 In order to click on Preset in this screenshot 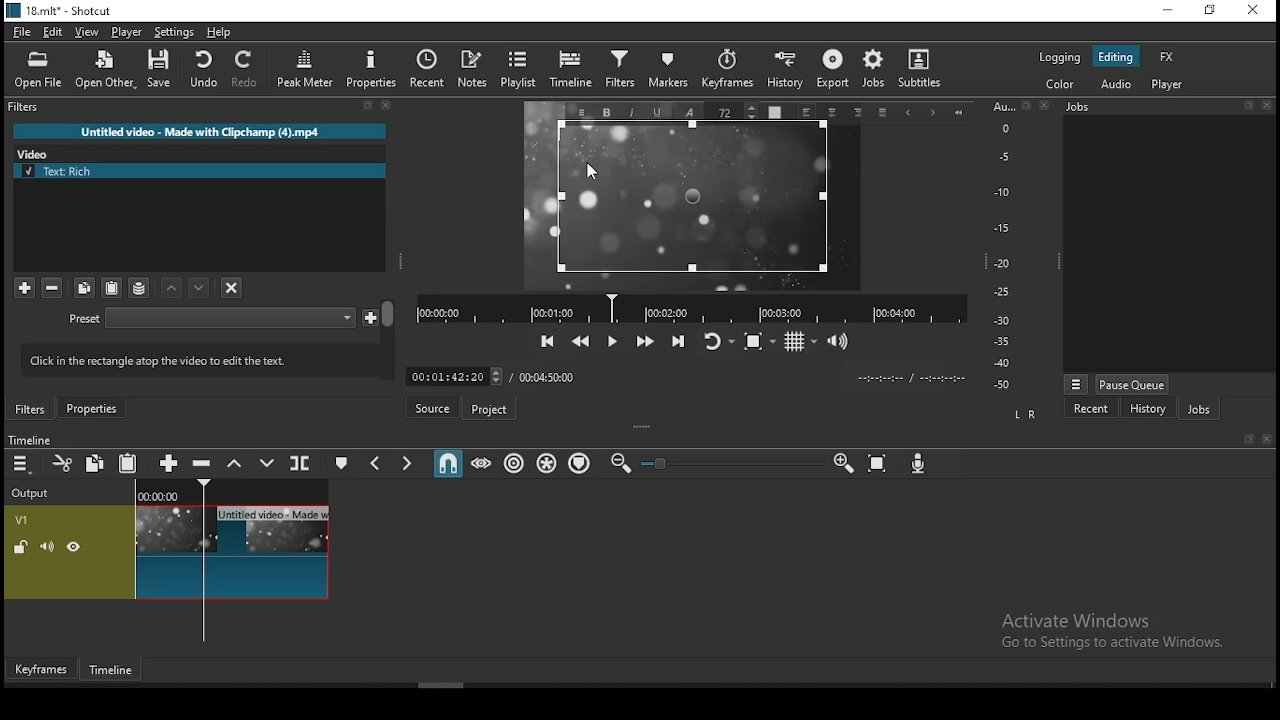, I will do `click(85, 320)`.